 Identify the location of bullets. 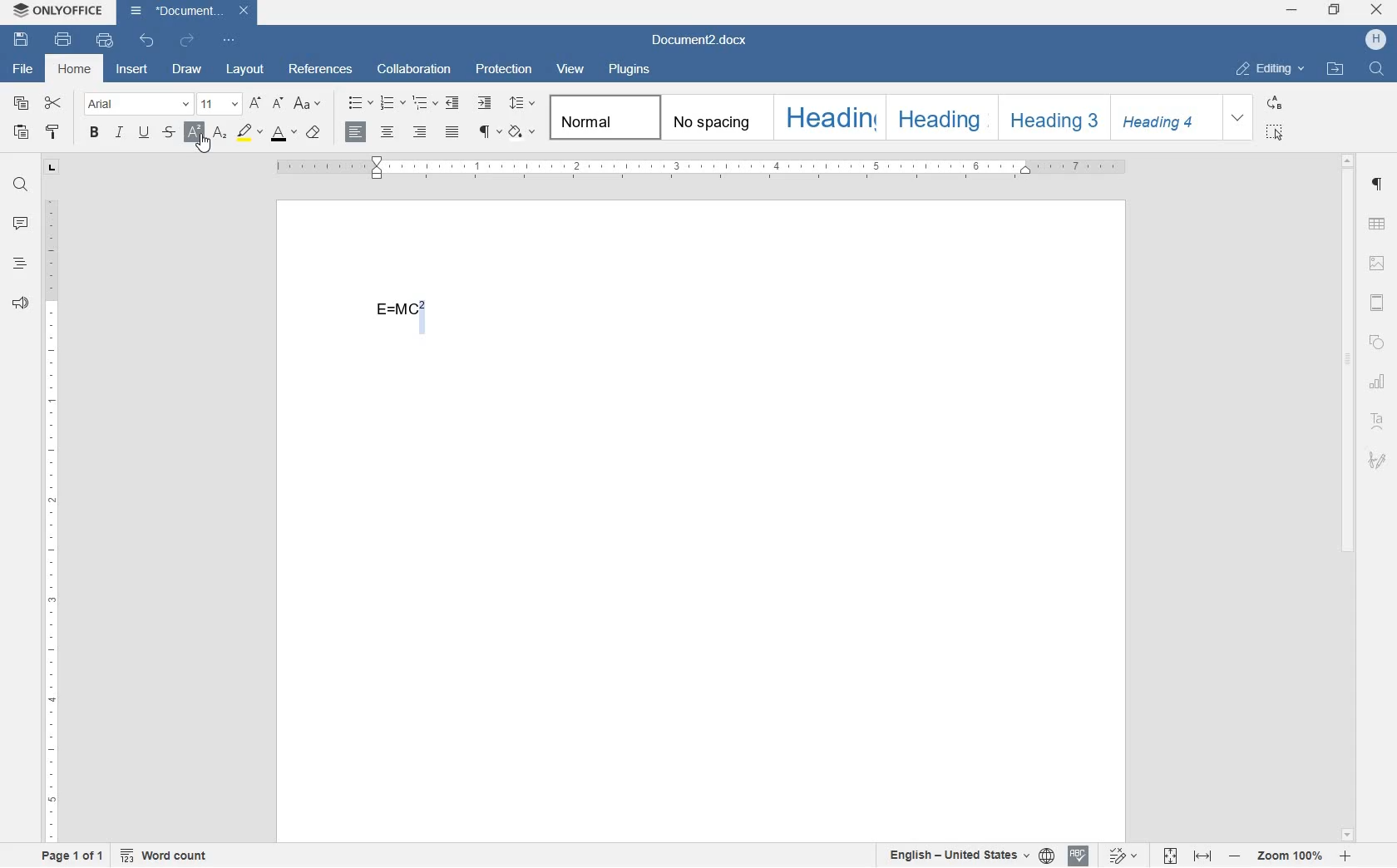
(361, 103).